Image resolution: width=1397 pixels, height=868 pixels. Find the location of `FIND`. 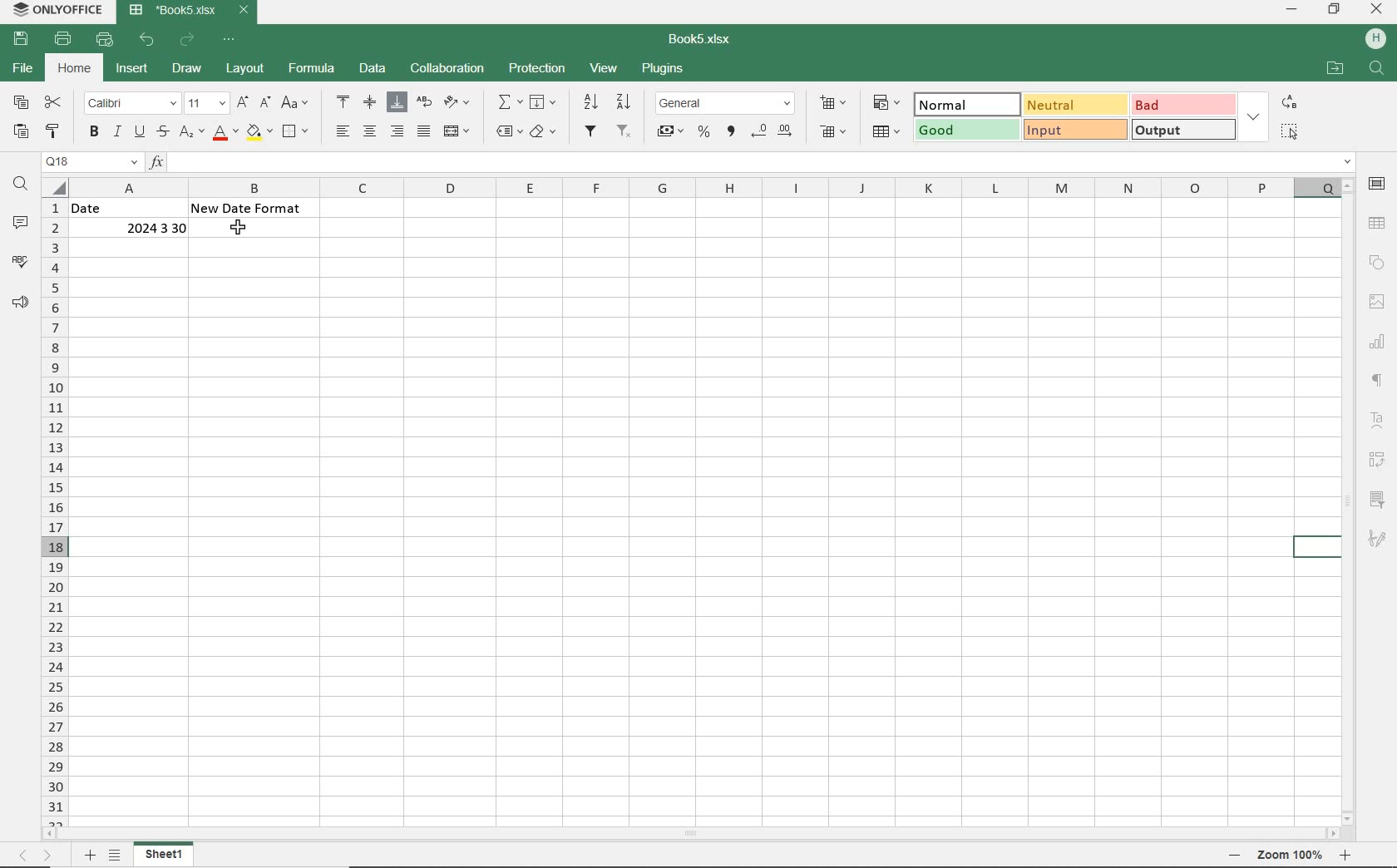

FIND is located at coordinates (22, 188).